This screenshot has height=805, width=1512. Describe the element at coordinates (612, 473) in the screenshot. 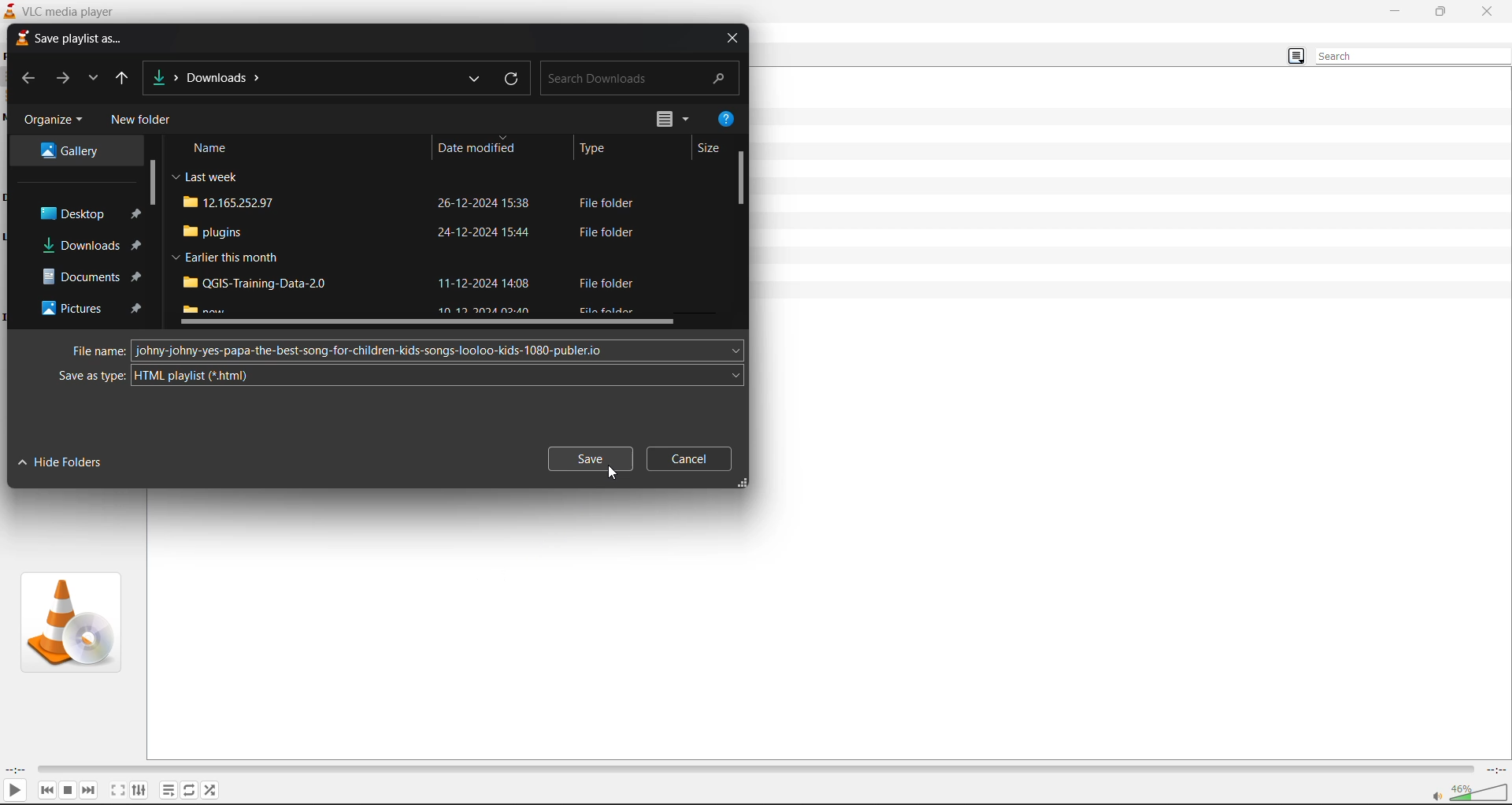

I see `cursor` at that location.